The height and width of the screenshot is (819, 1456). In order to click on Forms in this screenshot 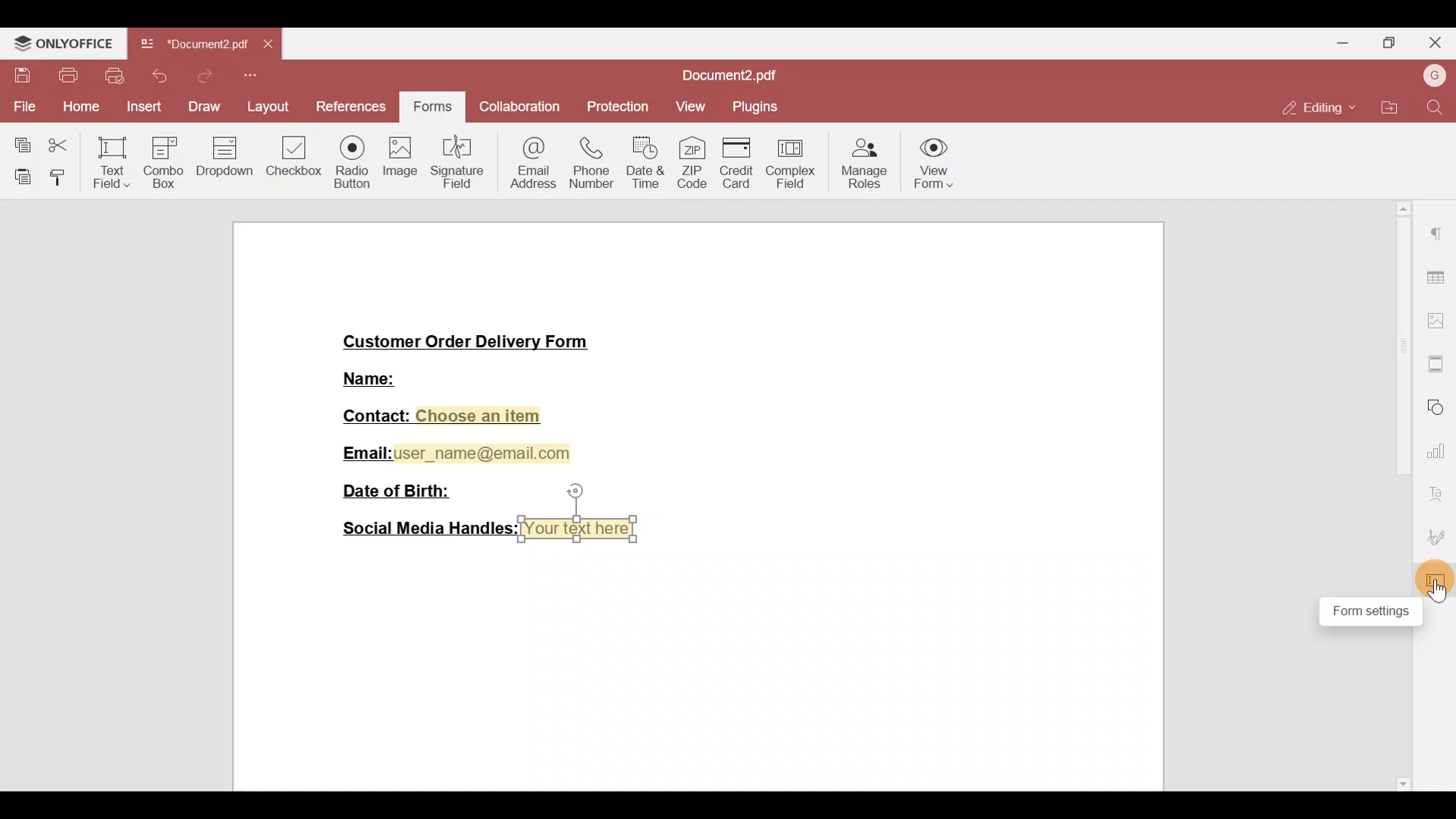, I will do `click(435, 103)`.